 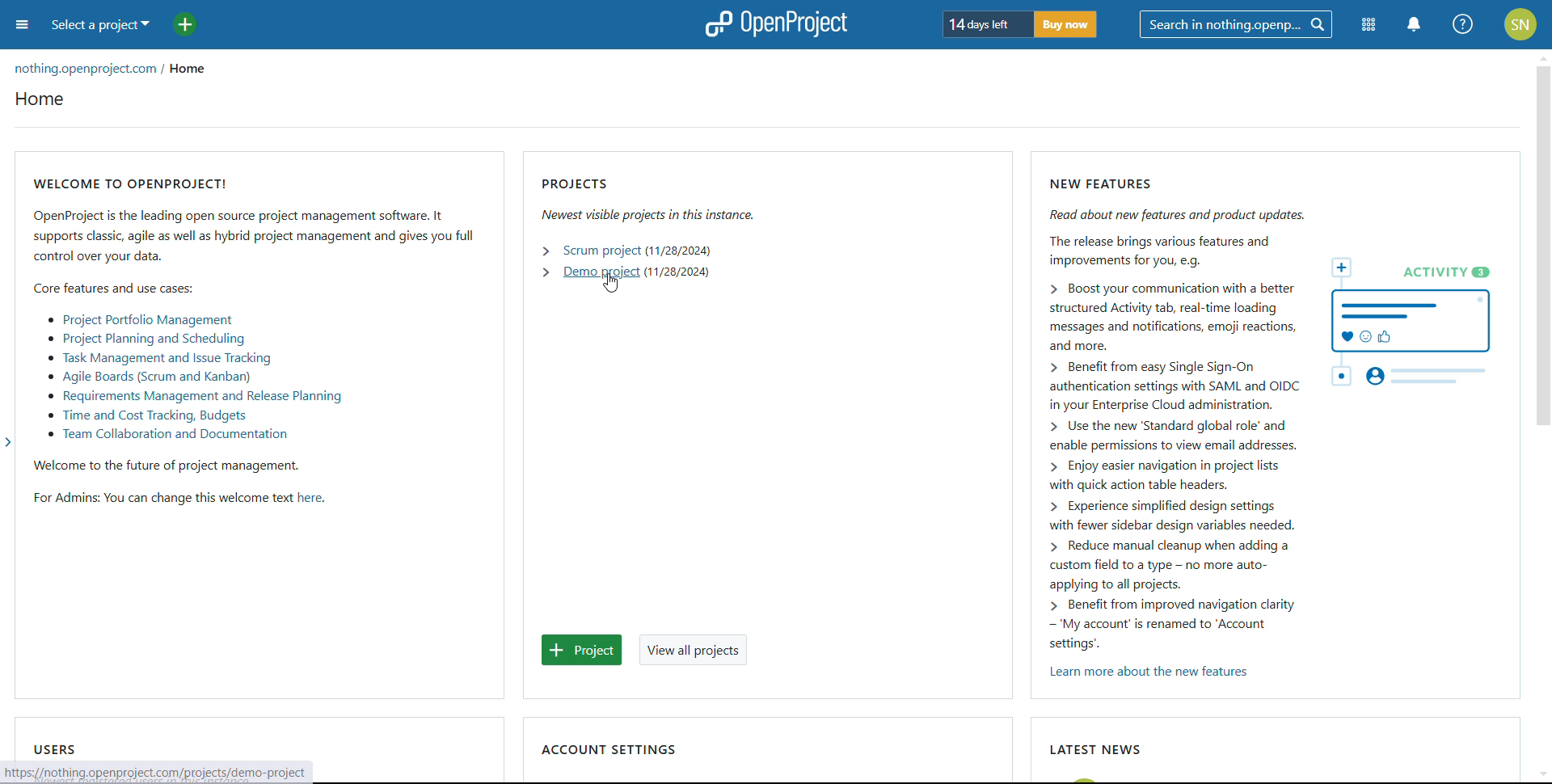 I want to click on learn more about new features, so click(x=1151, y=672).